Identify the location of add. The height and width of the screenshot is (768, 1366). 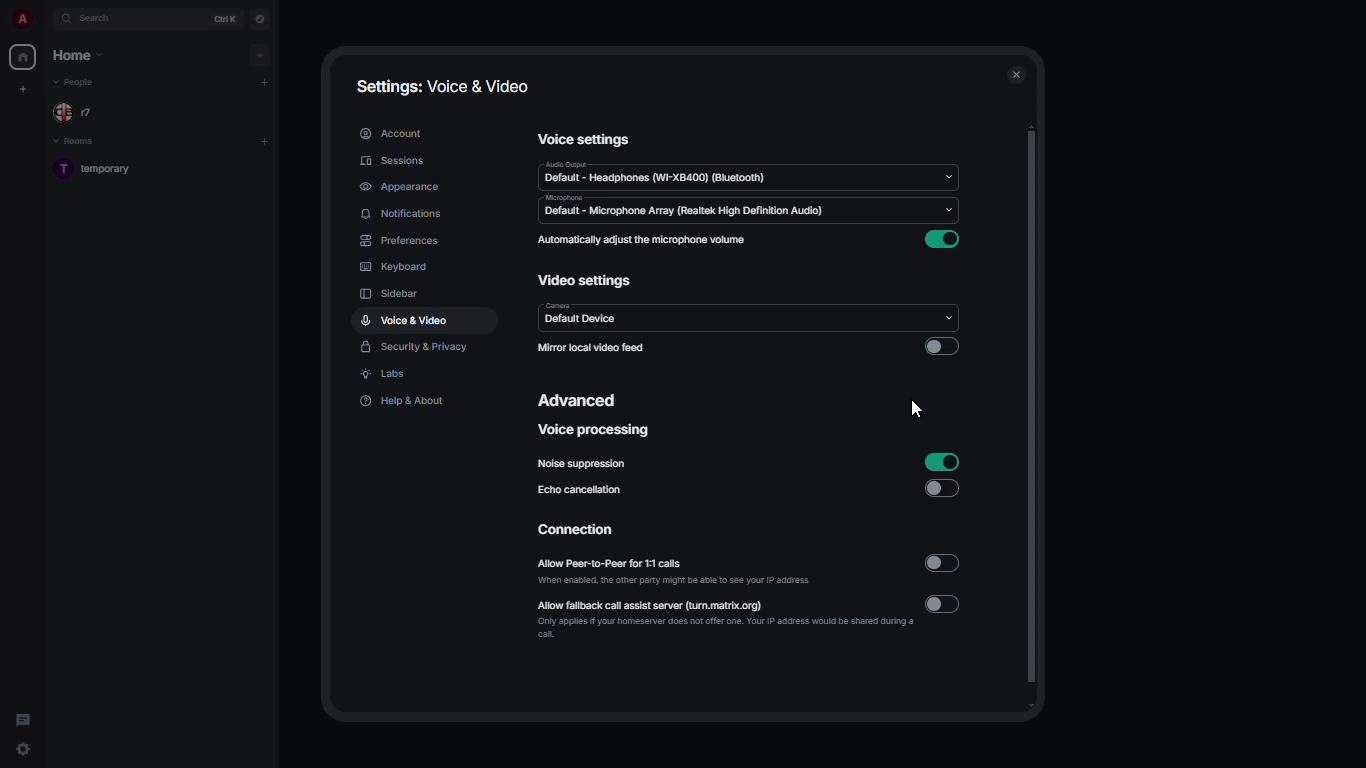
(264, 140).